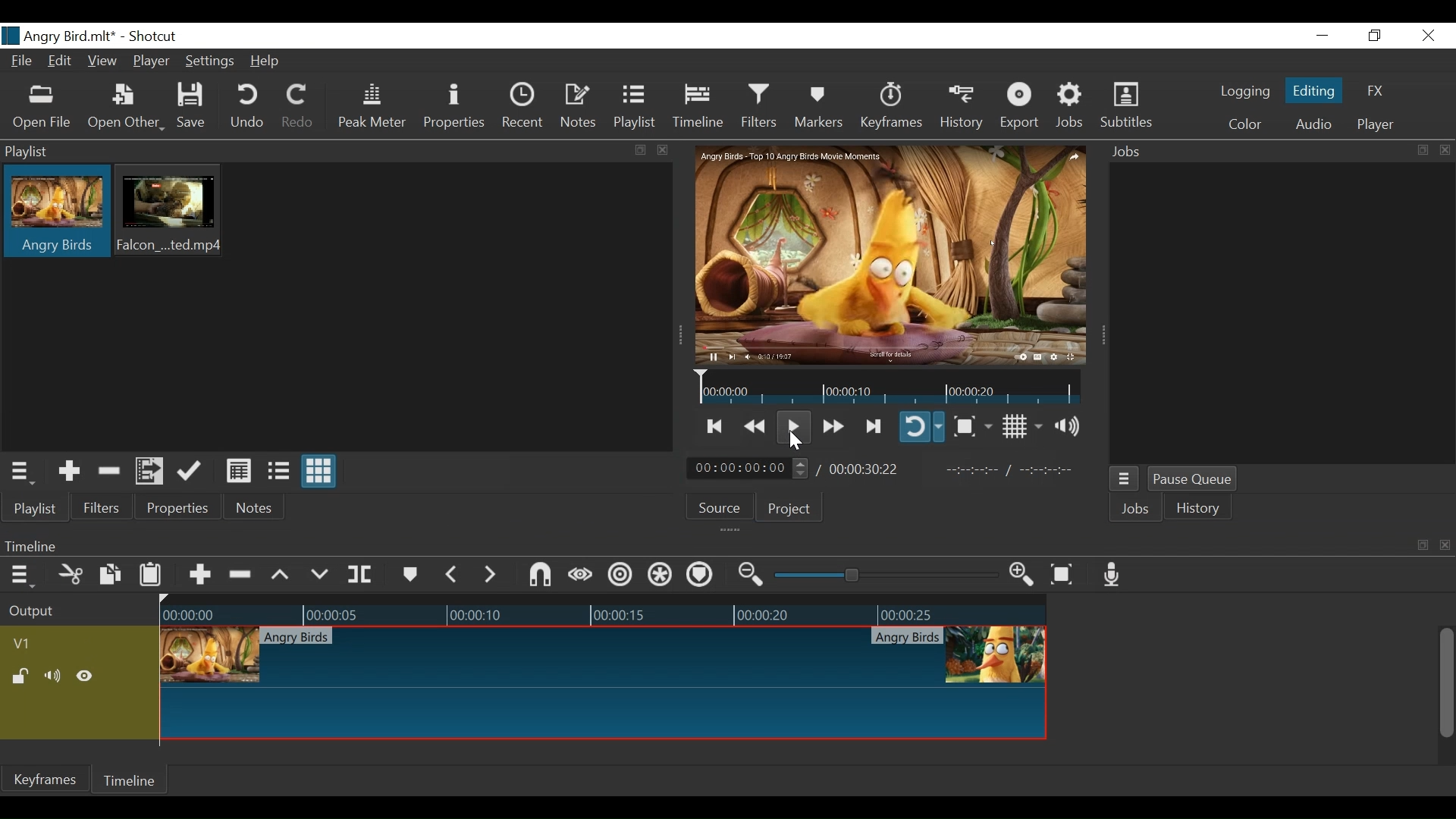  I want to click on Player, so click(1376, 122).